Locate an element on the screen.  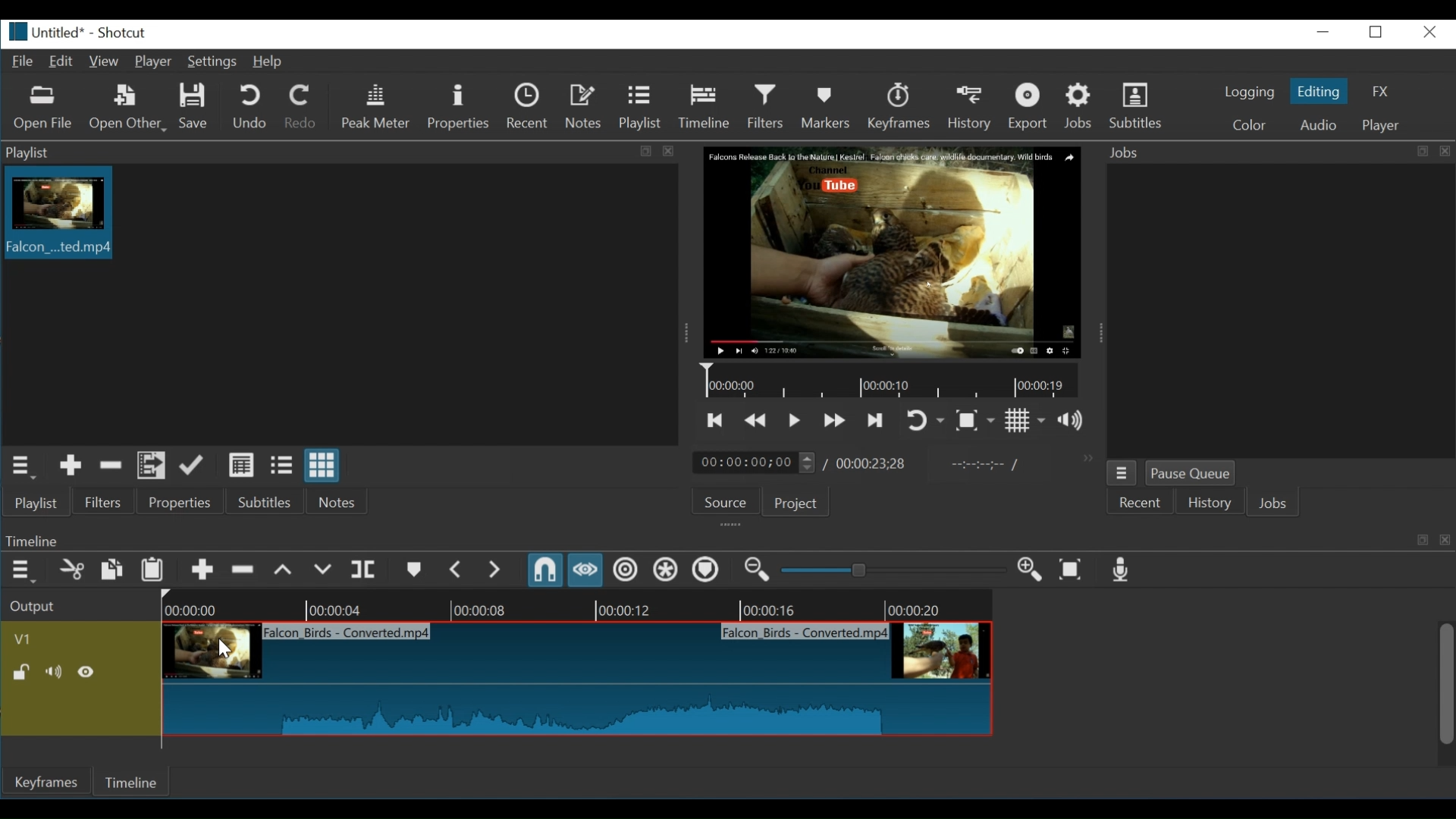
Zoom Timeline to fit is located at coordinates (1071, 569).